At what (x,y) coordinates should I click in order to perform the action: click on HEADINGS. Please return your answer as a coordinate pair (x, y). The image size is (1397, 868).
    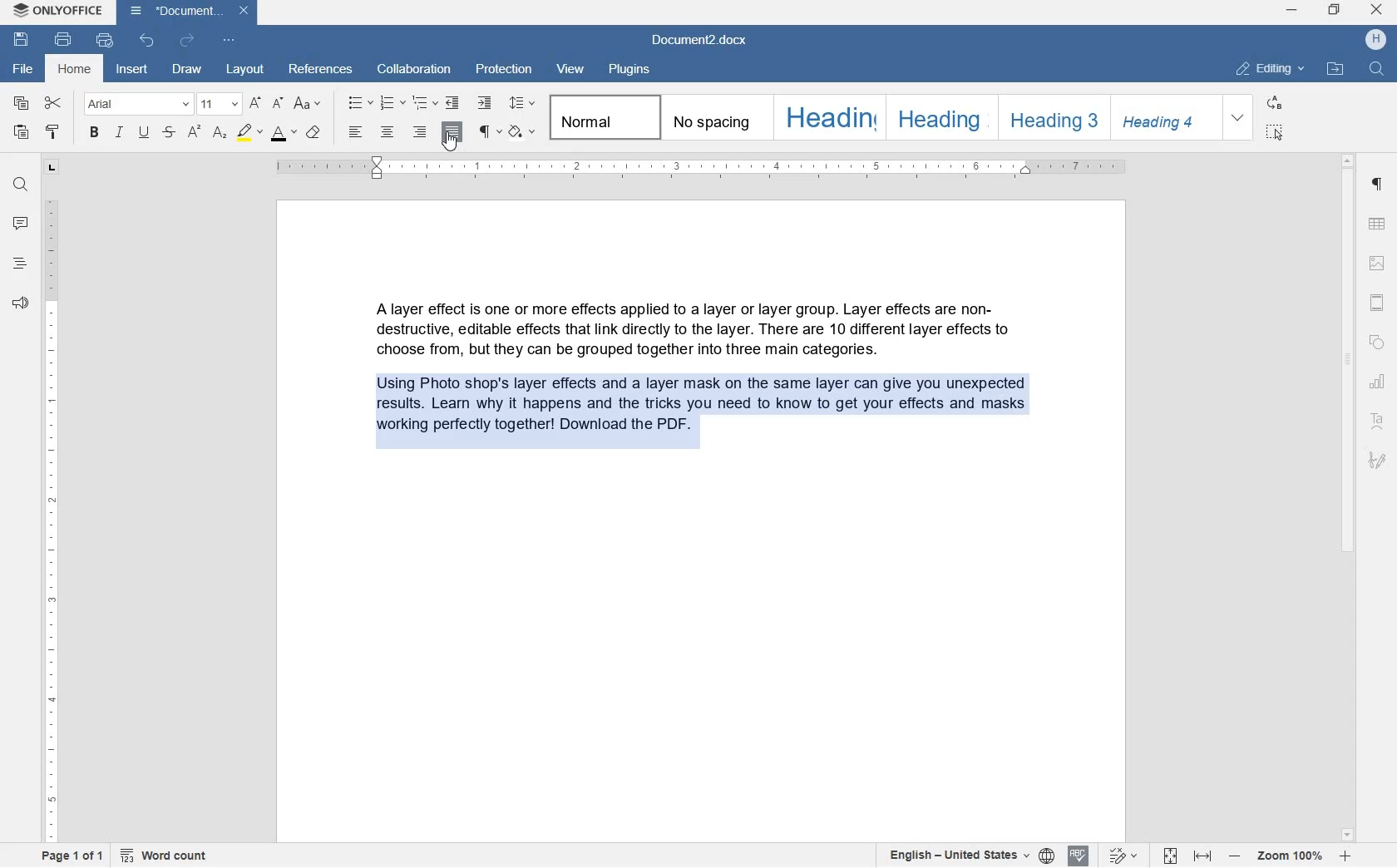
    Looking at the image, I should click on (20, 264).